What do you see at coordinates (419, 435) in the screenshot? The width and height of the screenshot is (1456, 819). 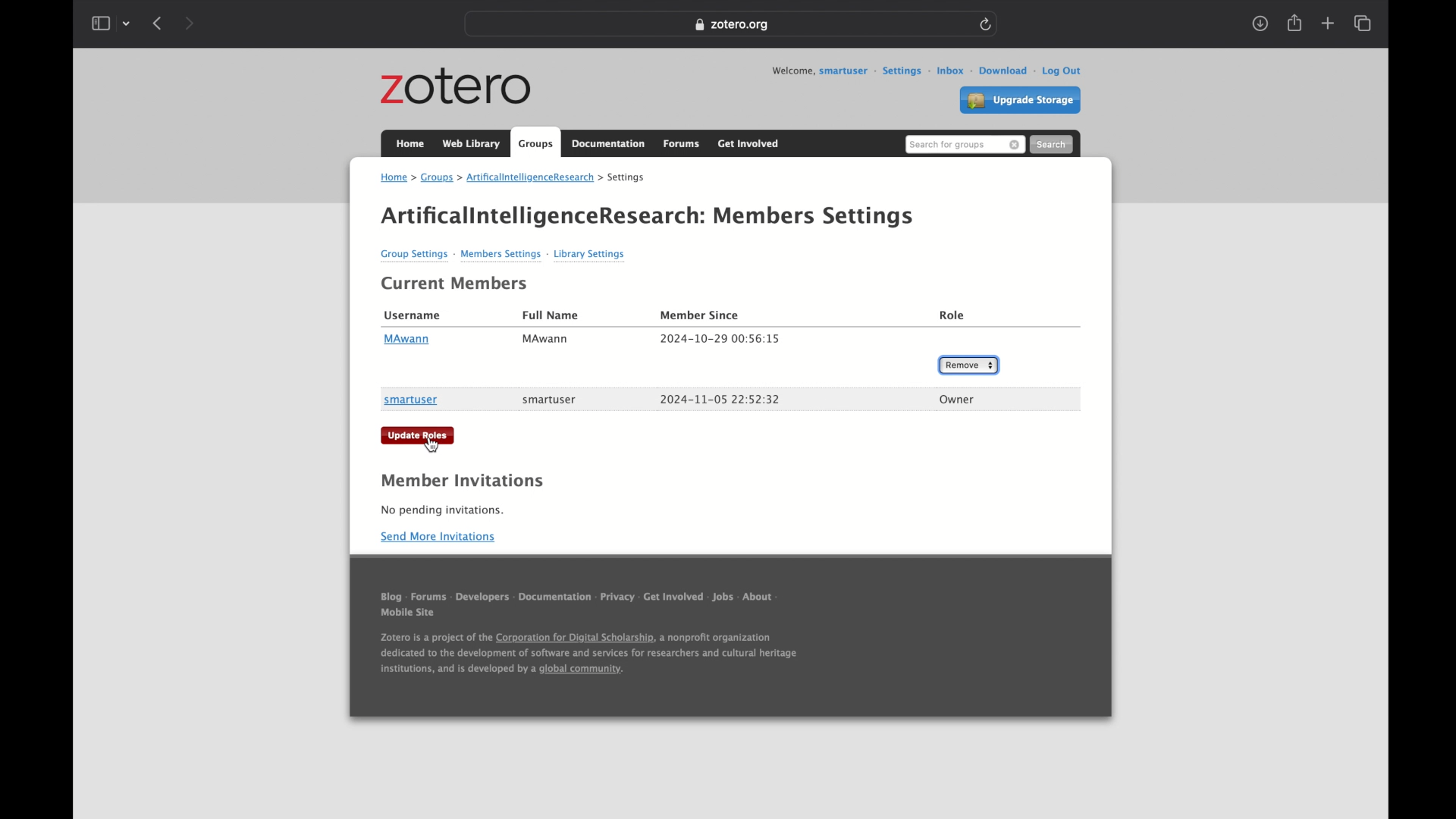 I see `update roles` at bounding box center [419, 435].